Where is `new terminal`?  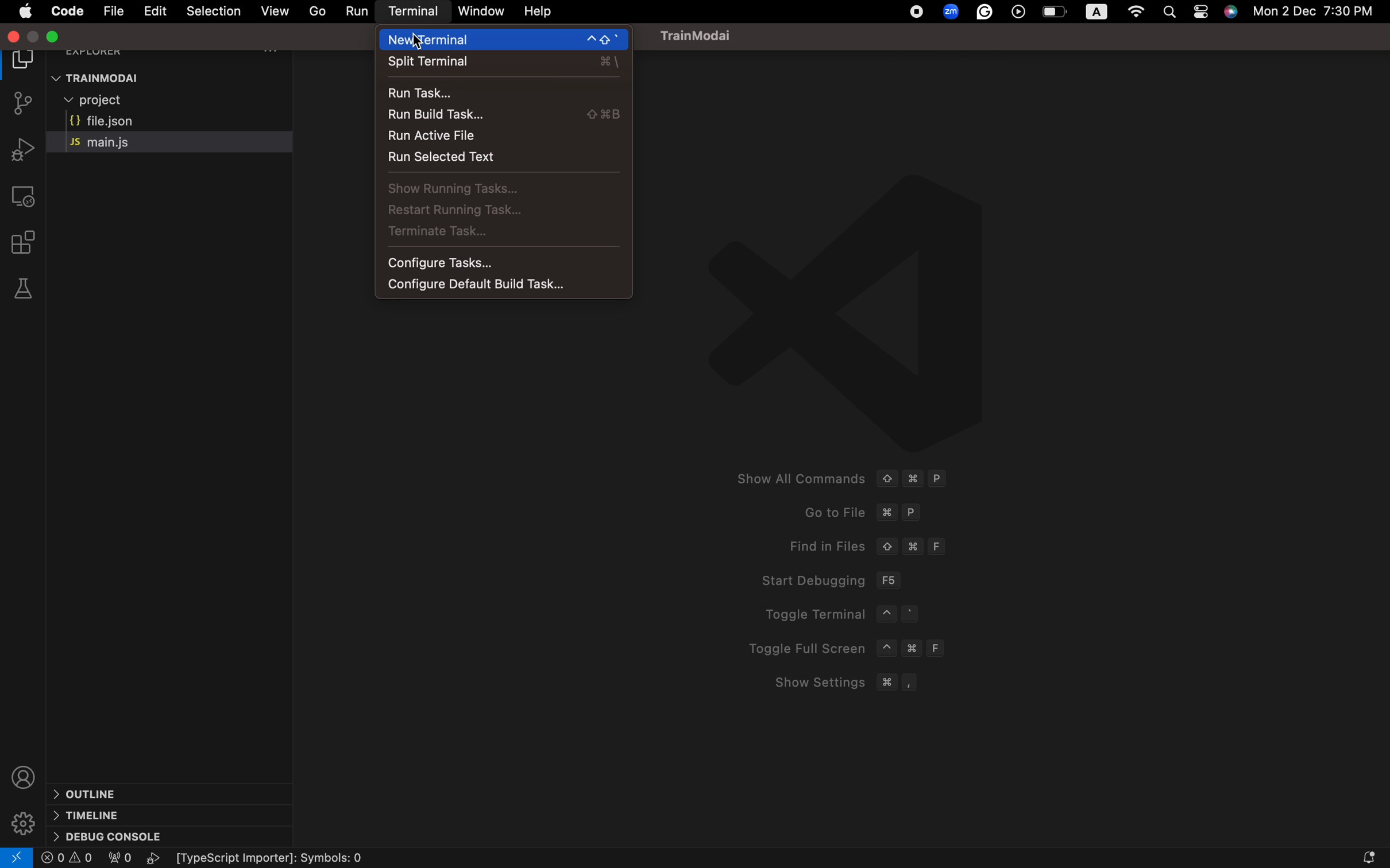
new terminal is located at coordinates (506, 40).